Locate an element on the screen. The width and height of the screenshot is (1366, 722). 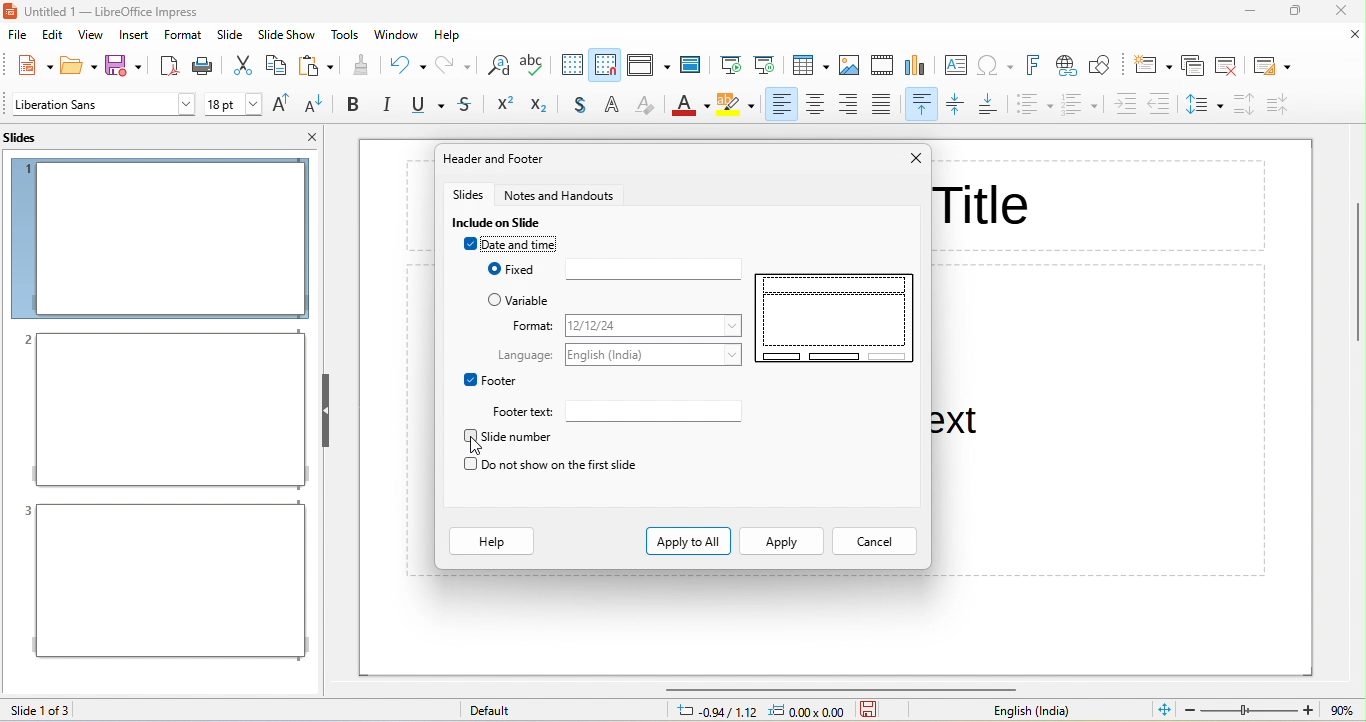
character highlighting is located at coordinates (736, 107).